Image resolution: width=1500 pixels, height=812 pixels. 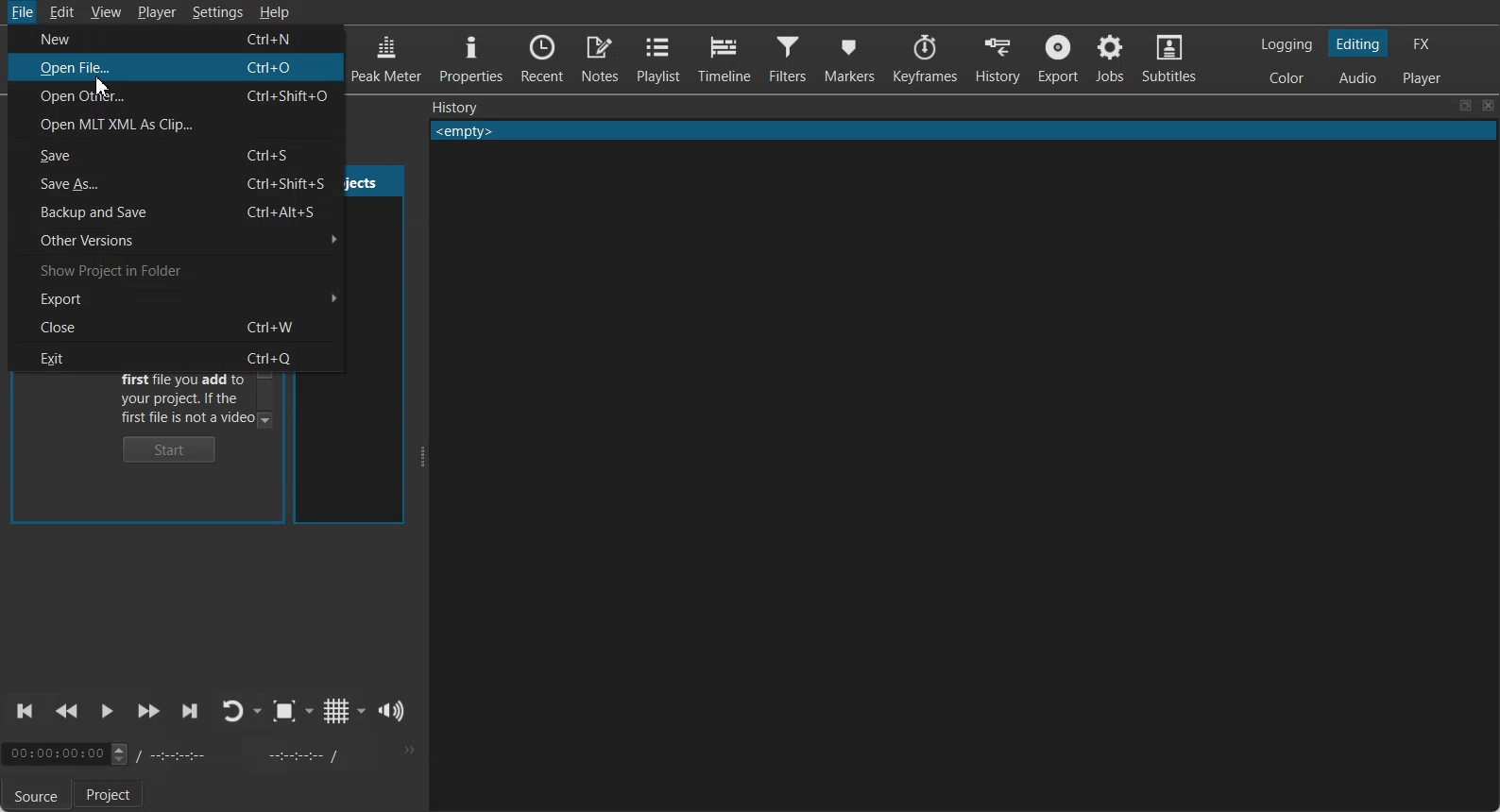 I want to click on cursor, so click(x=102, y=87).